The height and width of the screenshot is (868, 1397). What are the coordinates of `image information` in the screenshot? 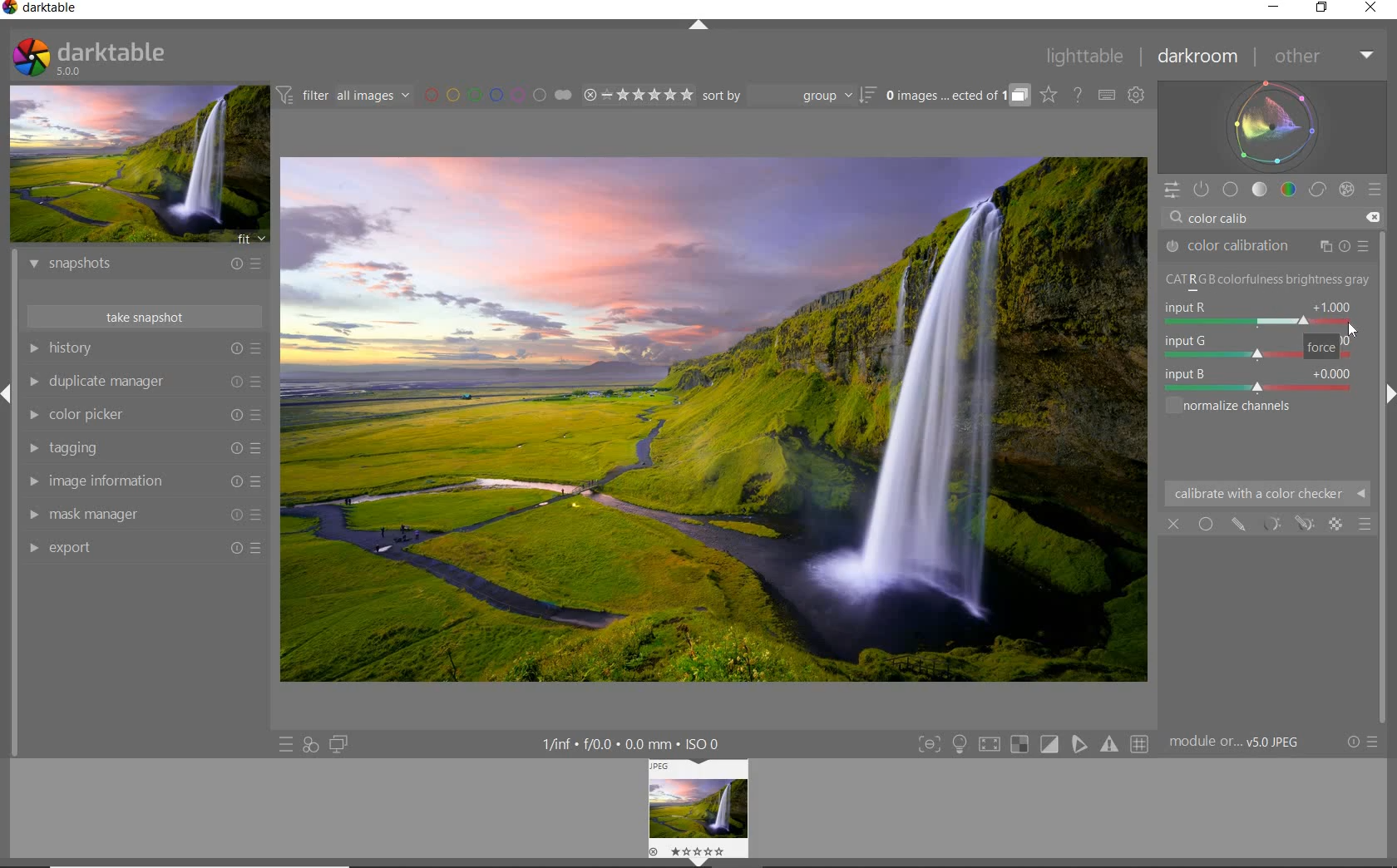 It's located at (143, 481).